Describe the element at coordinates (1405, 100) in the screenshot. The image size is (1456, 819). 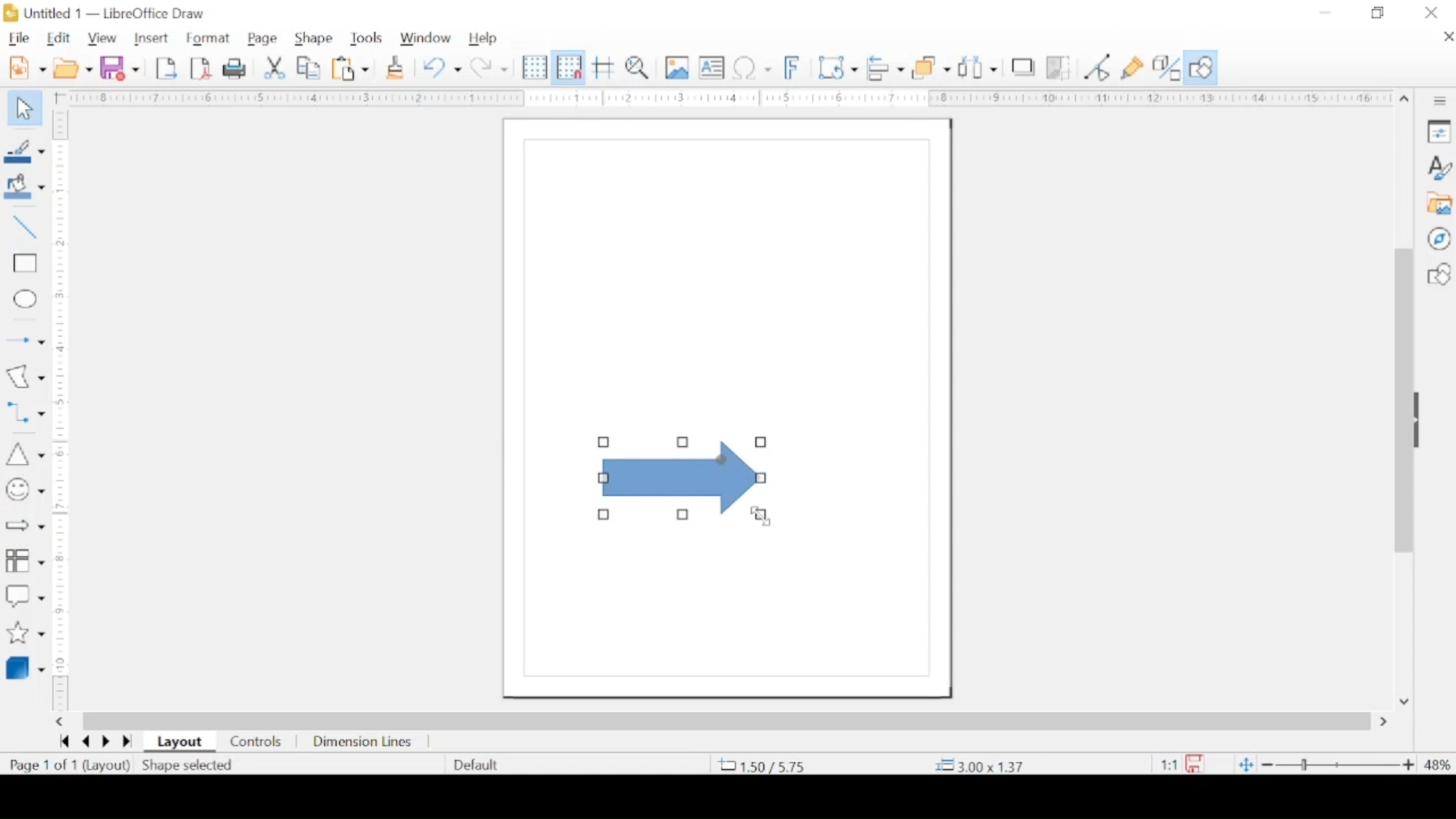
I see `scroll up arrow` at that location.